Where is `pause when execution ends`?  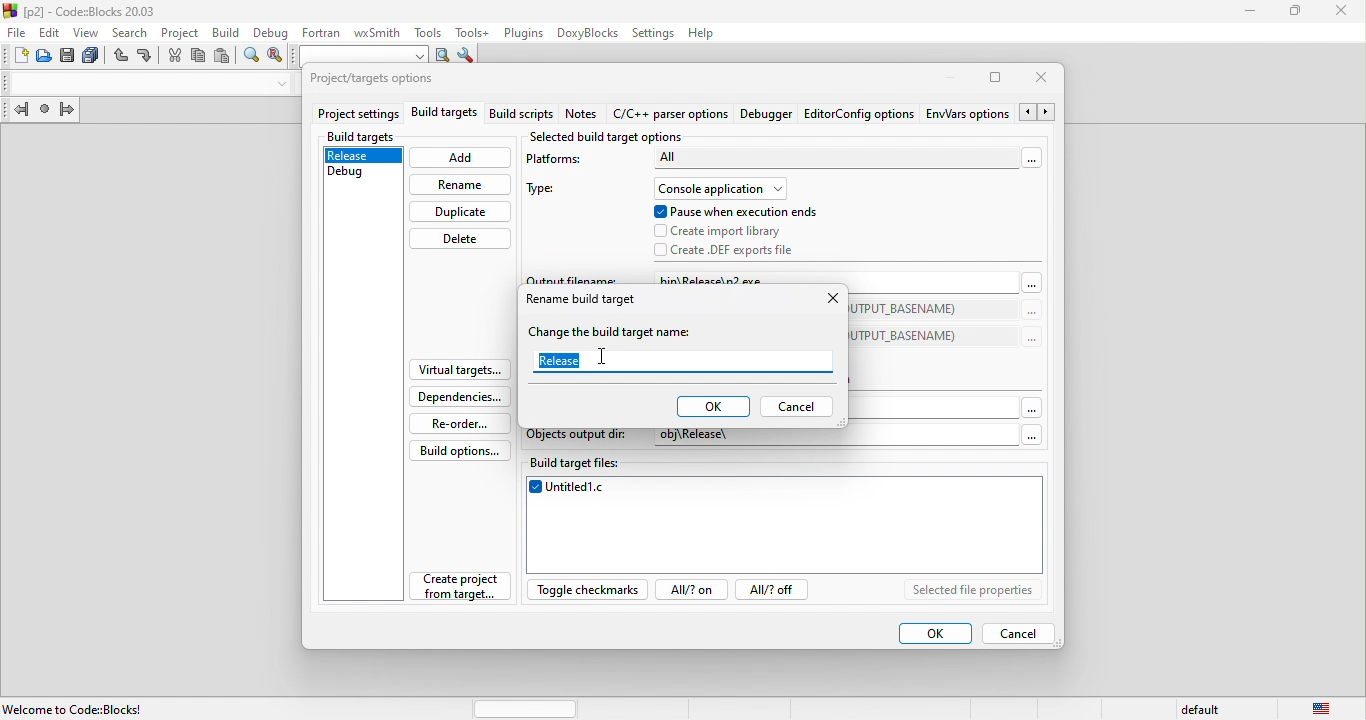
pause when execution ends is located at coordinates (736, 212).